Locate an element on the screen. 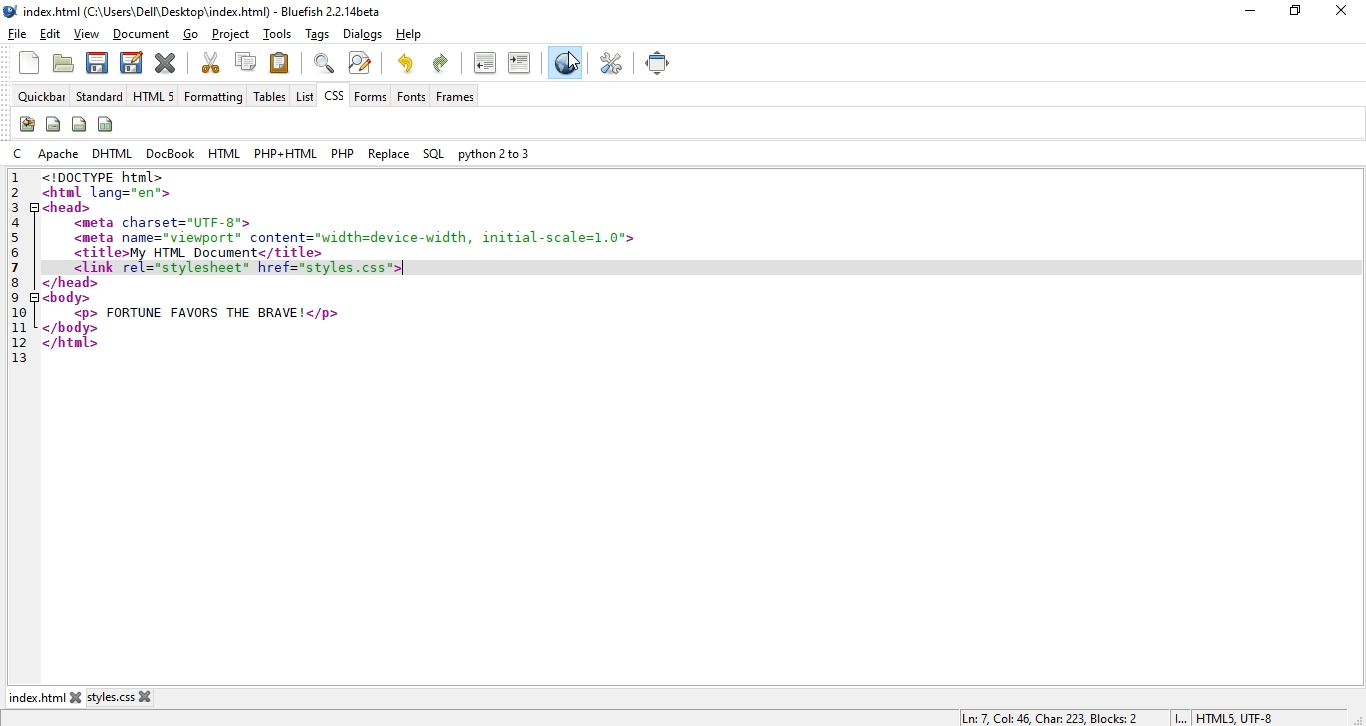 The image size is (1366, 726). <title>My HTML Document</title> is located at coordinates (198, 253).